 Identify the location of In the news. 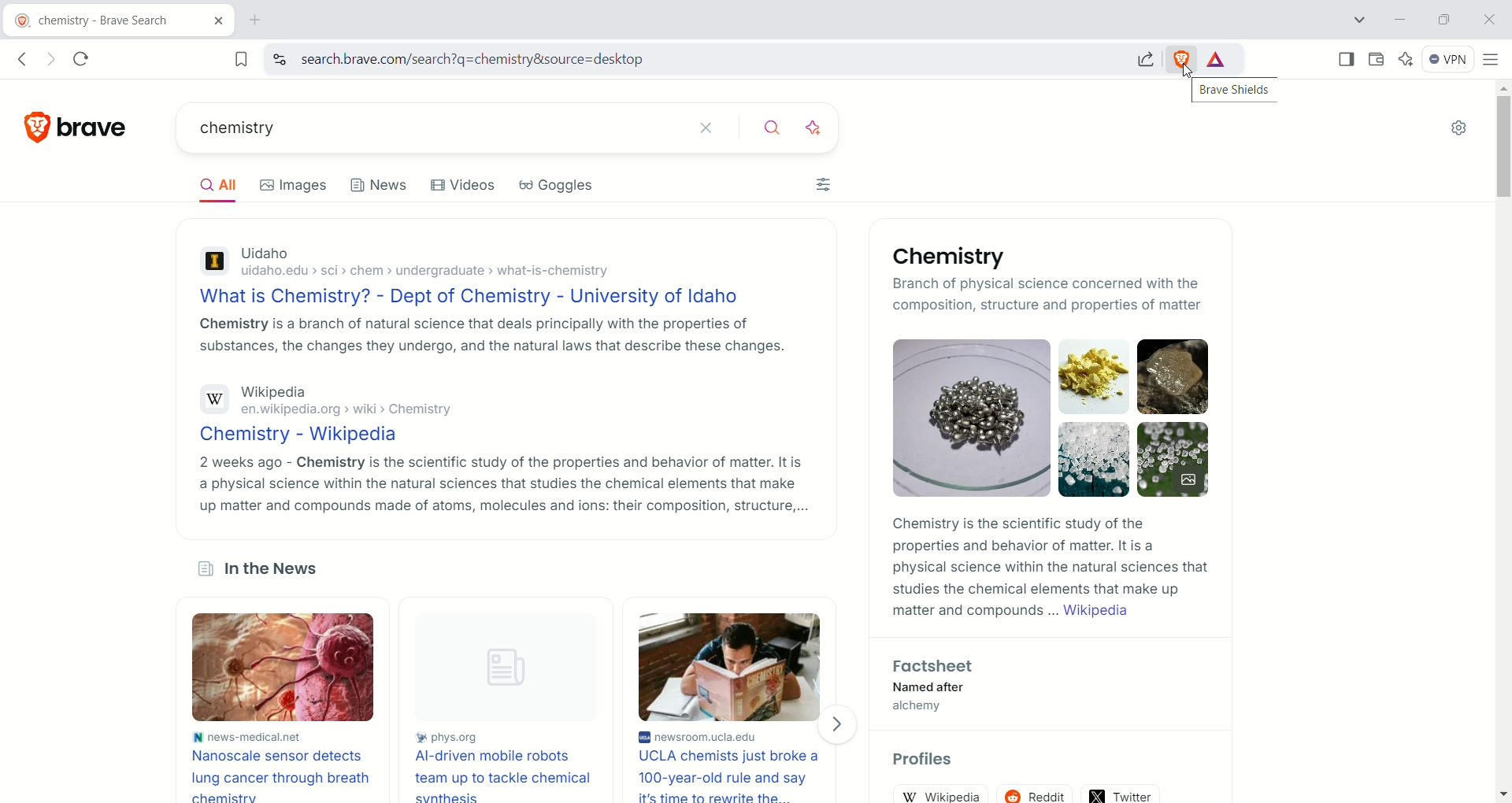
(266, 569).